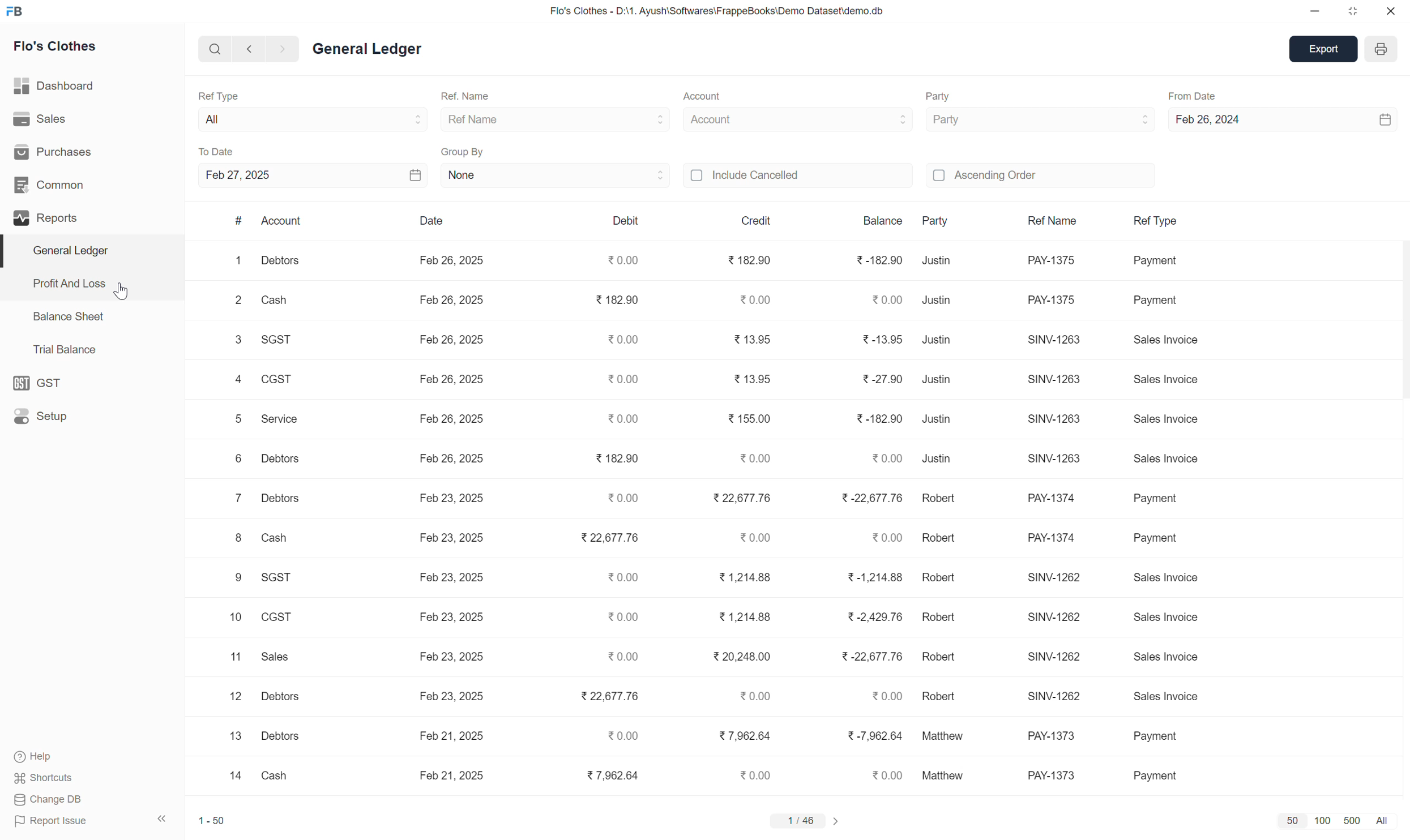 This screenshot has height=840, width=1410. Describe the element at coordinates (458, 578) in the screenshot. I see `Feb 23, 2025` at that location.